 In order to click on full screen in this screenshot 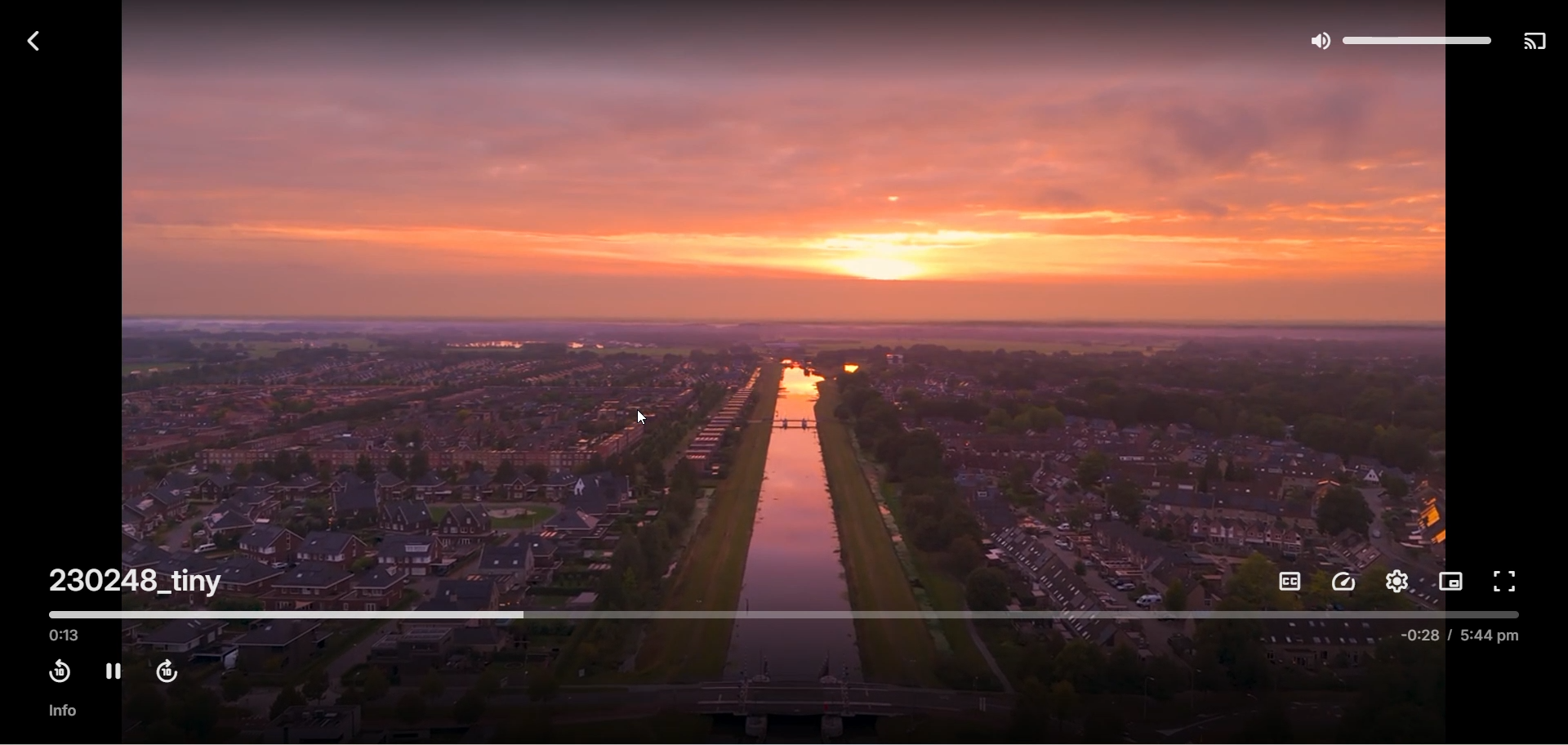, I will do `click(1506, 579)`.